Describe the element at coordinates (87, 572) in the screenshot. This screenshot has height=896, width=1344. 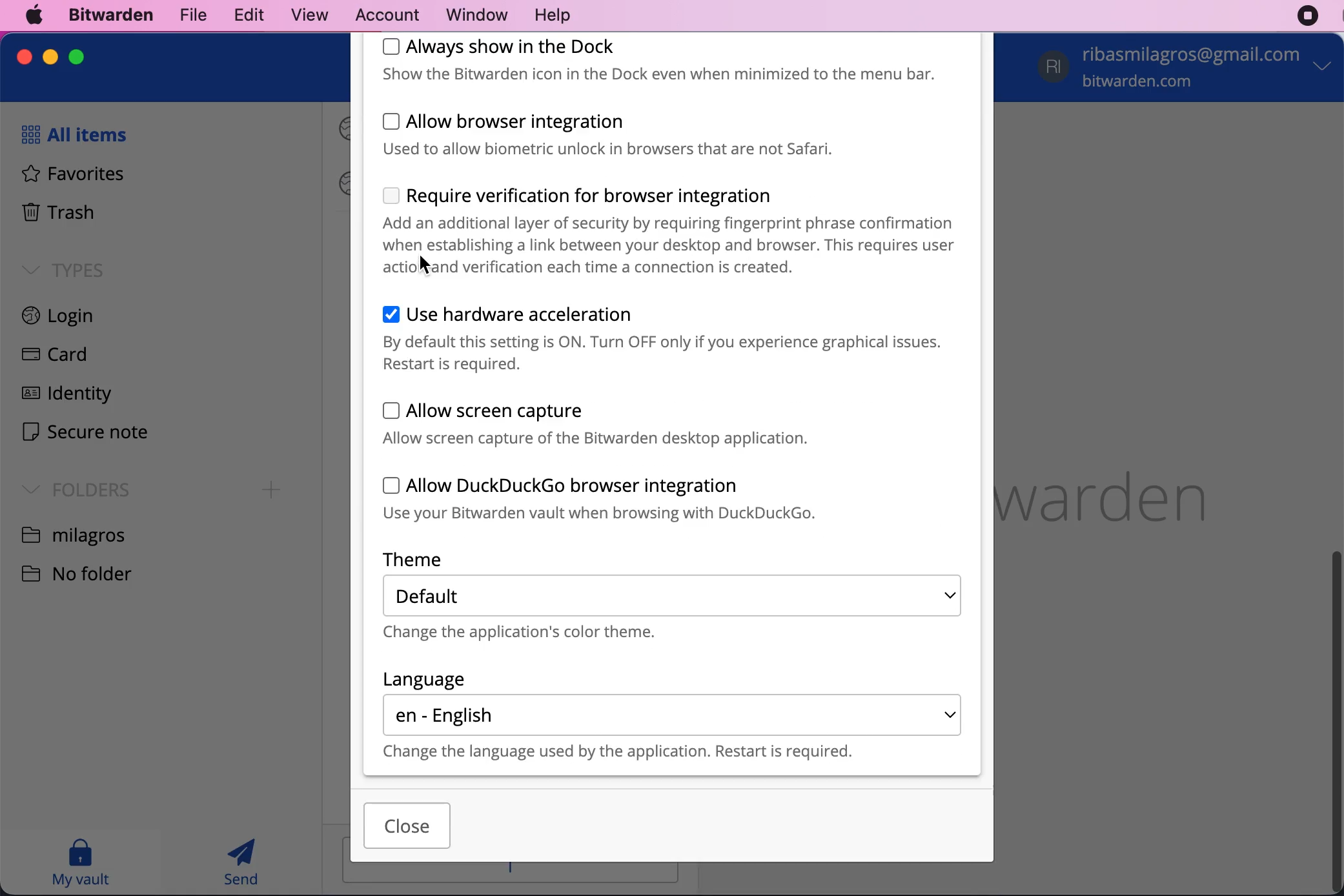
I see `no folder` at that location.